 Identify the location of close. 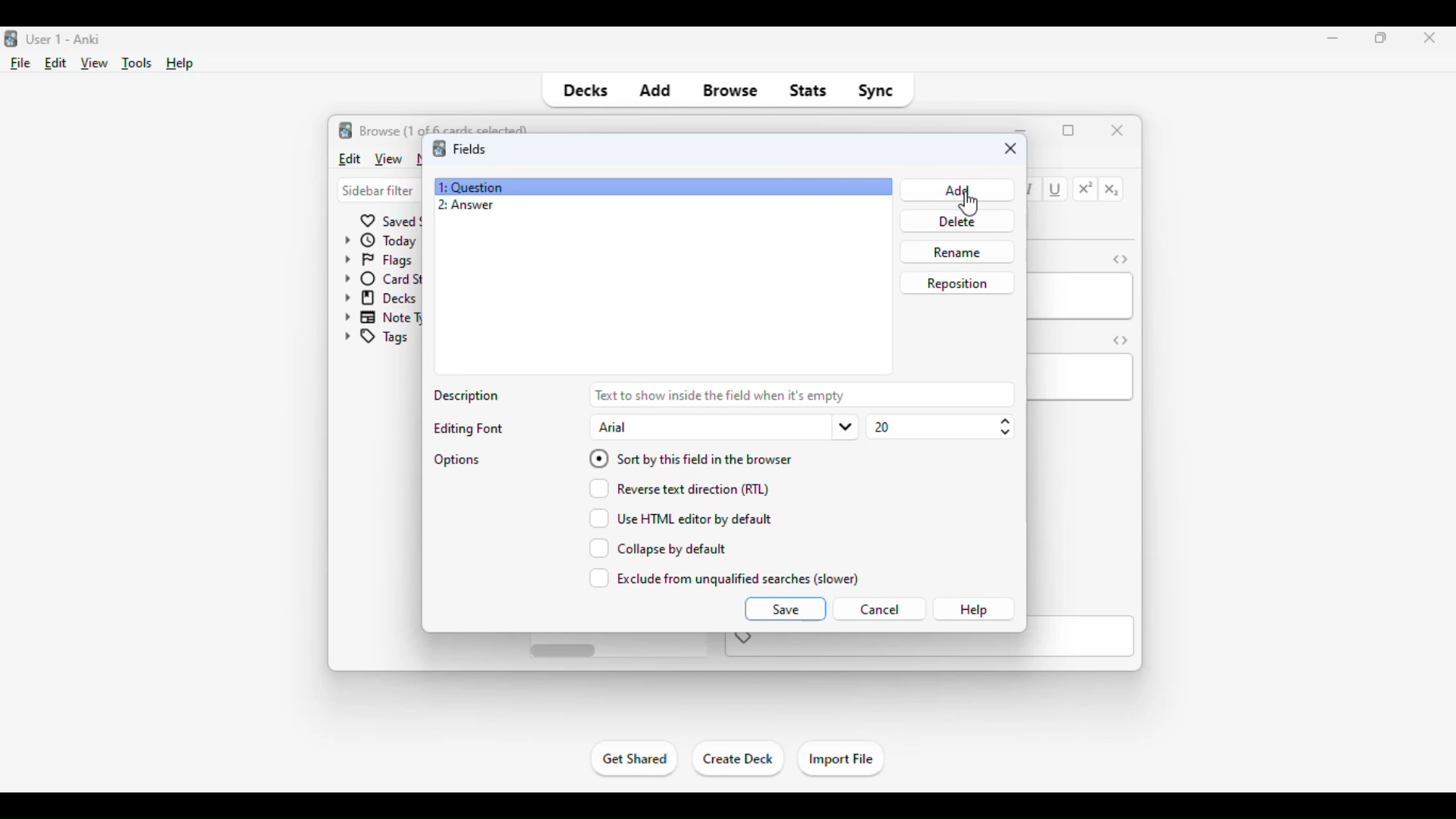
(1425, 39).